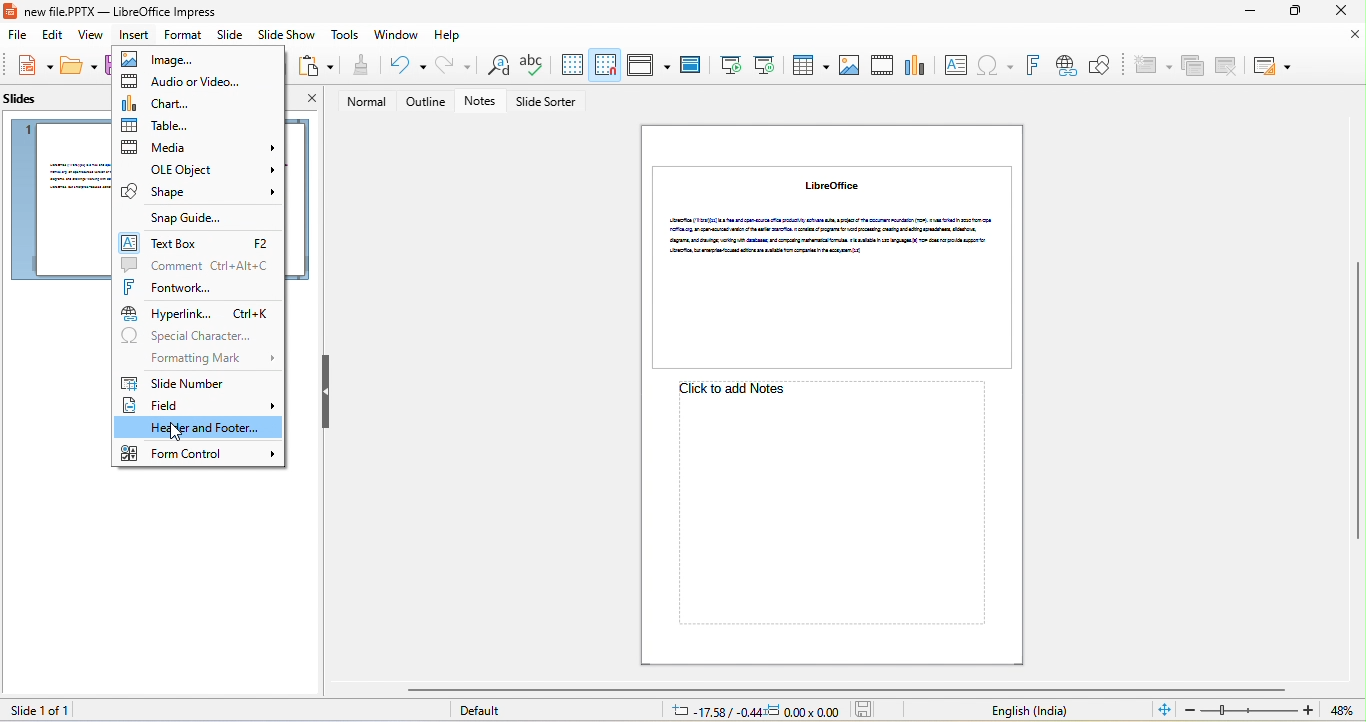 The image size is (1366, 722). Describe the element at coordinates (188, 218) in the screenshot. I see `snap guide` at that location.